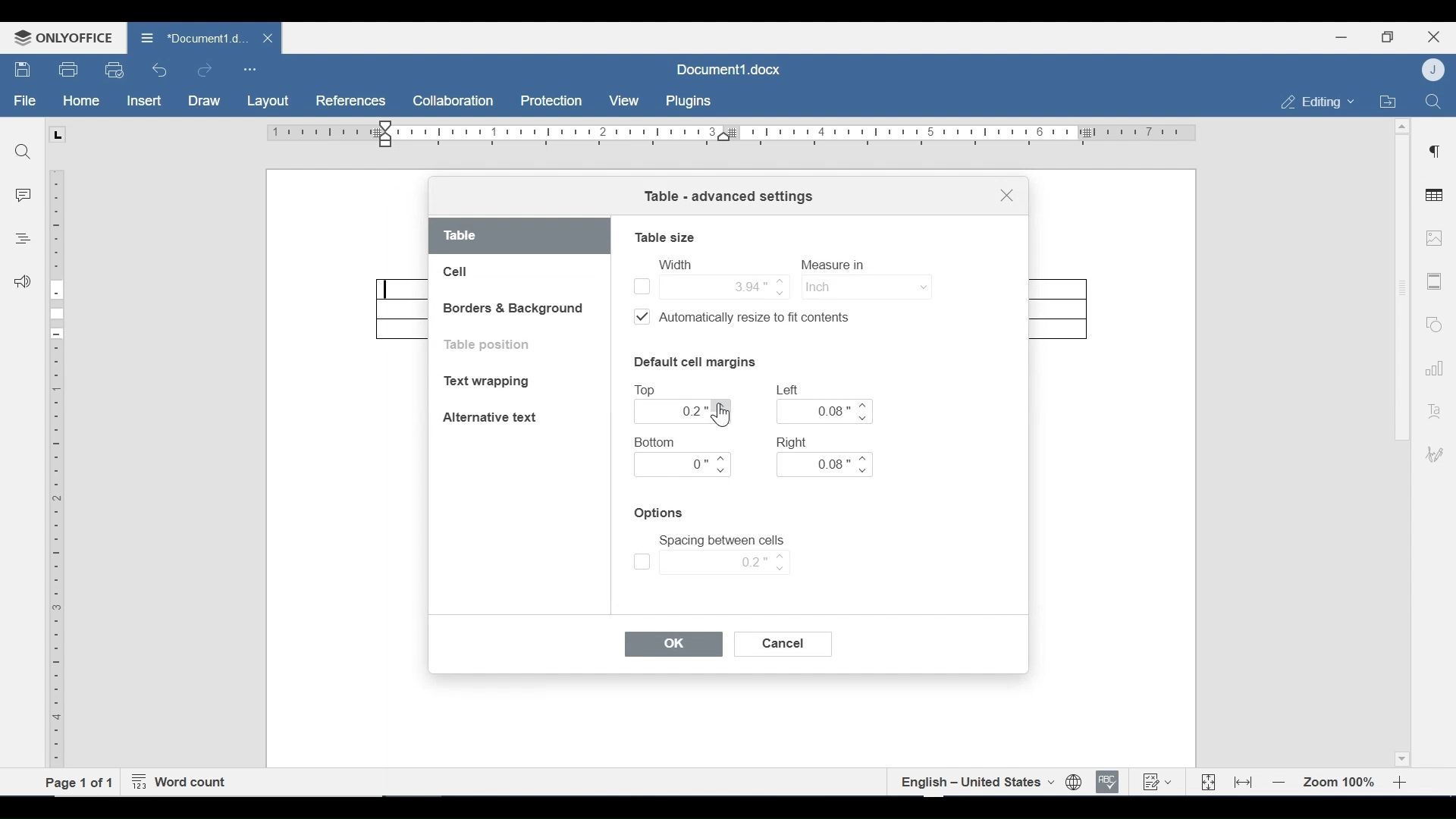 The image size is (1456, 819). I want to click on , so click(1844, 1009).